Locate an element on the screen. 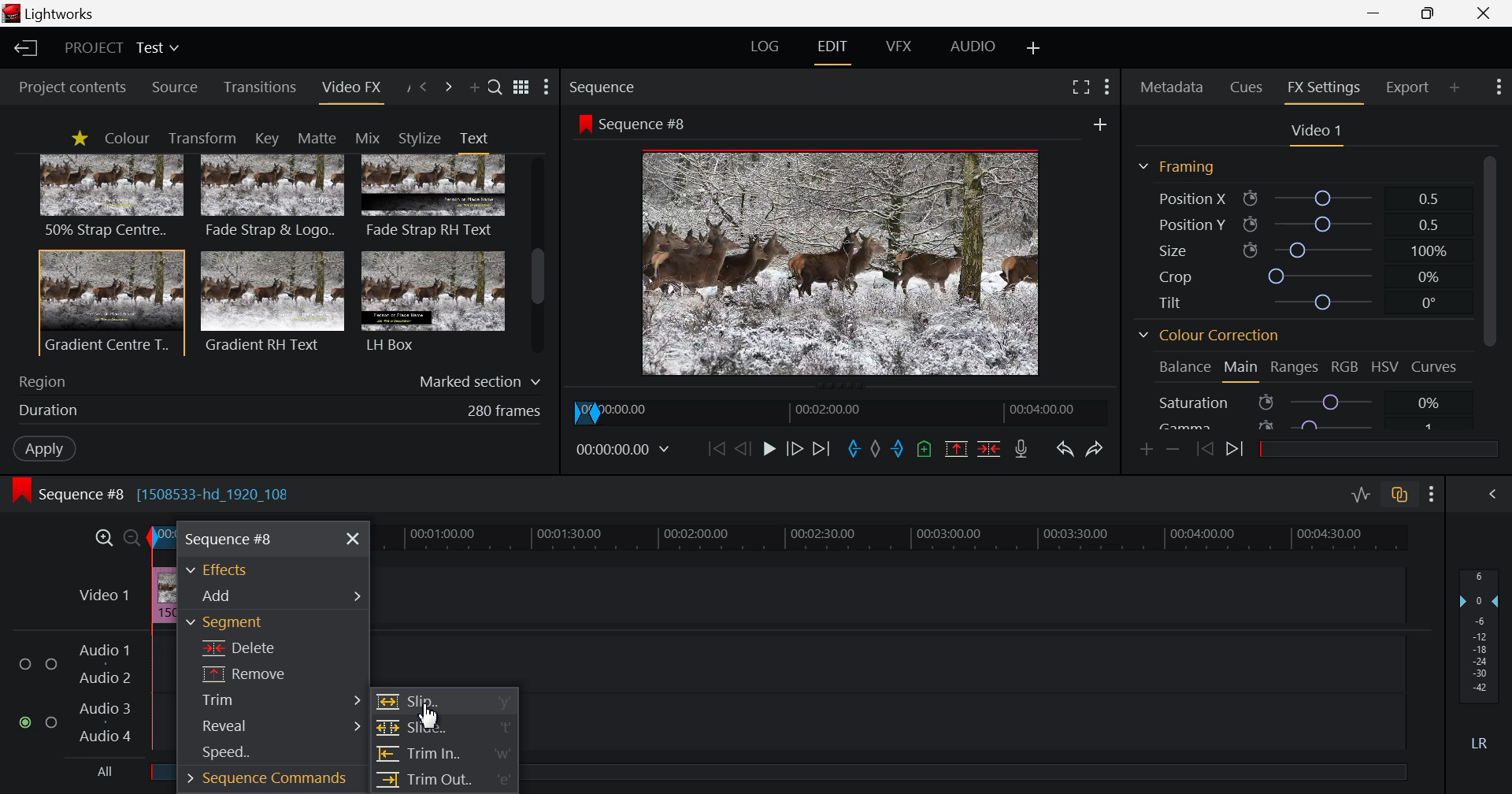 This screenshot has width=1512, height=794. Lightworks is located at coordinates (57, 14).